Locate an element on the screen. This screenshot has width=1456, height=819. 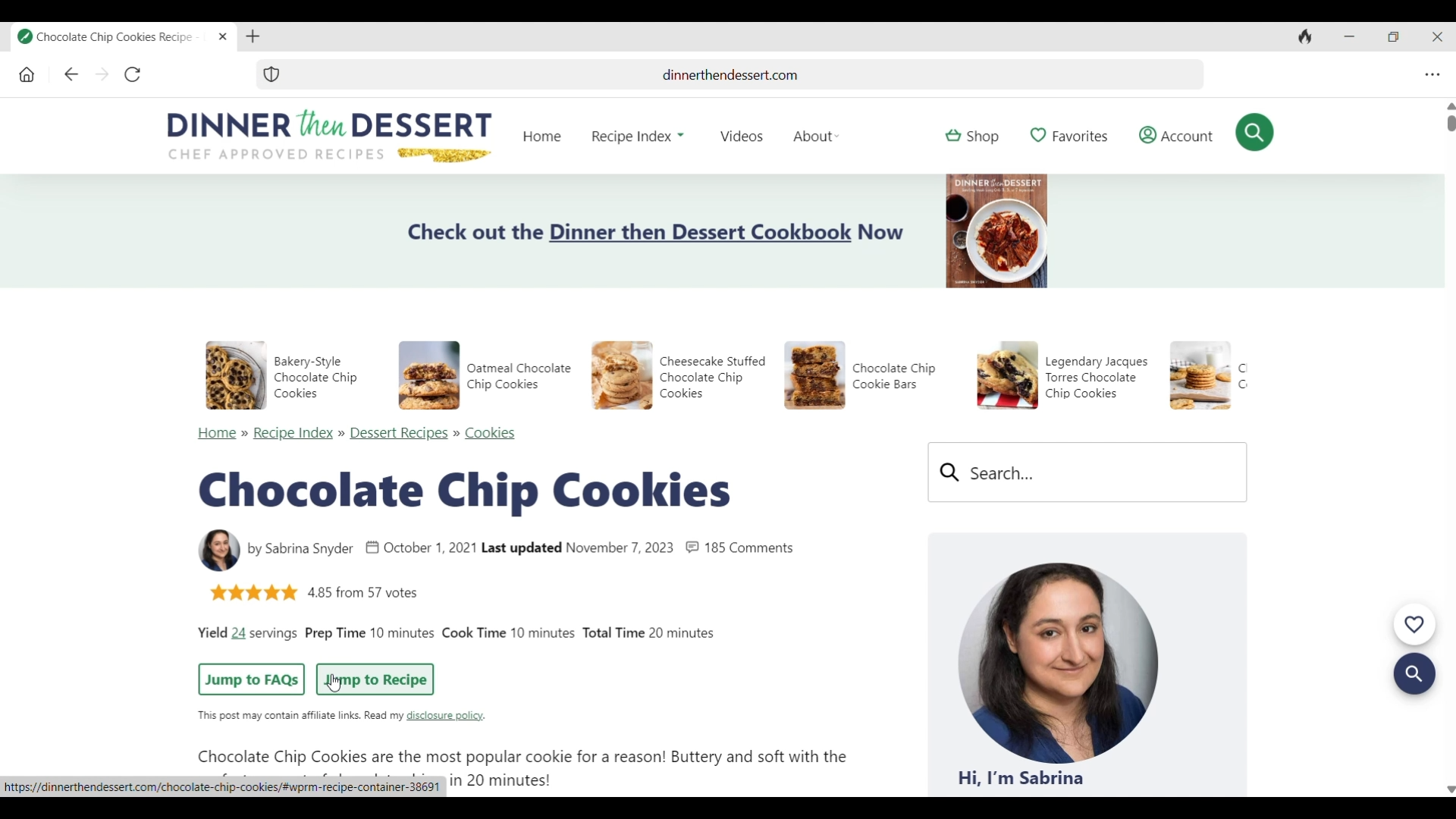
Chocolate Chip Cookies is located at coordinates (464, 494).